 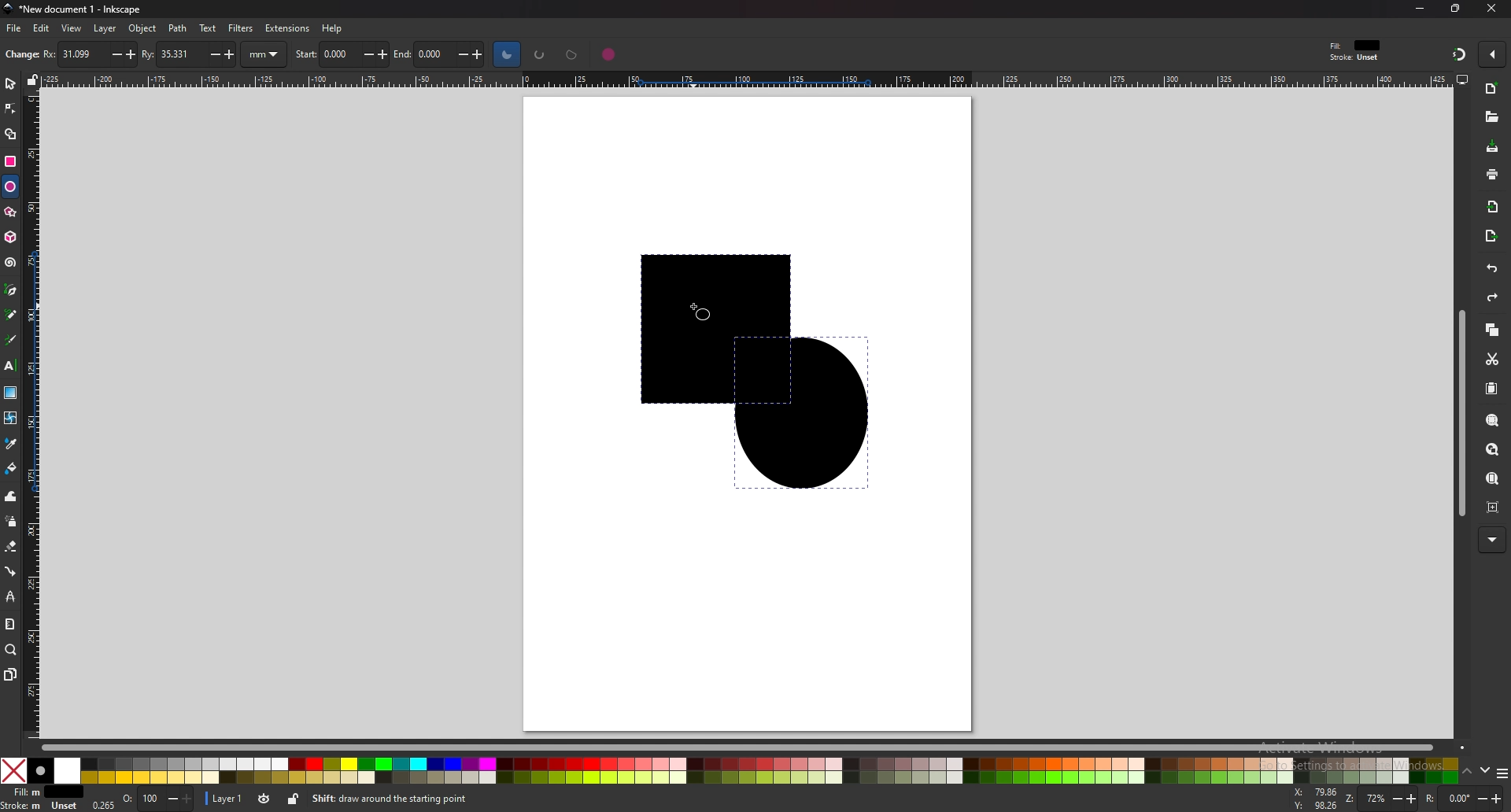 I want to click on zoom drawing, so click(x=1493, y=449).